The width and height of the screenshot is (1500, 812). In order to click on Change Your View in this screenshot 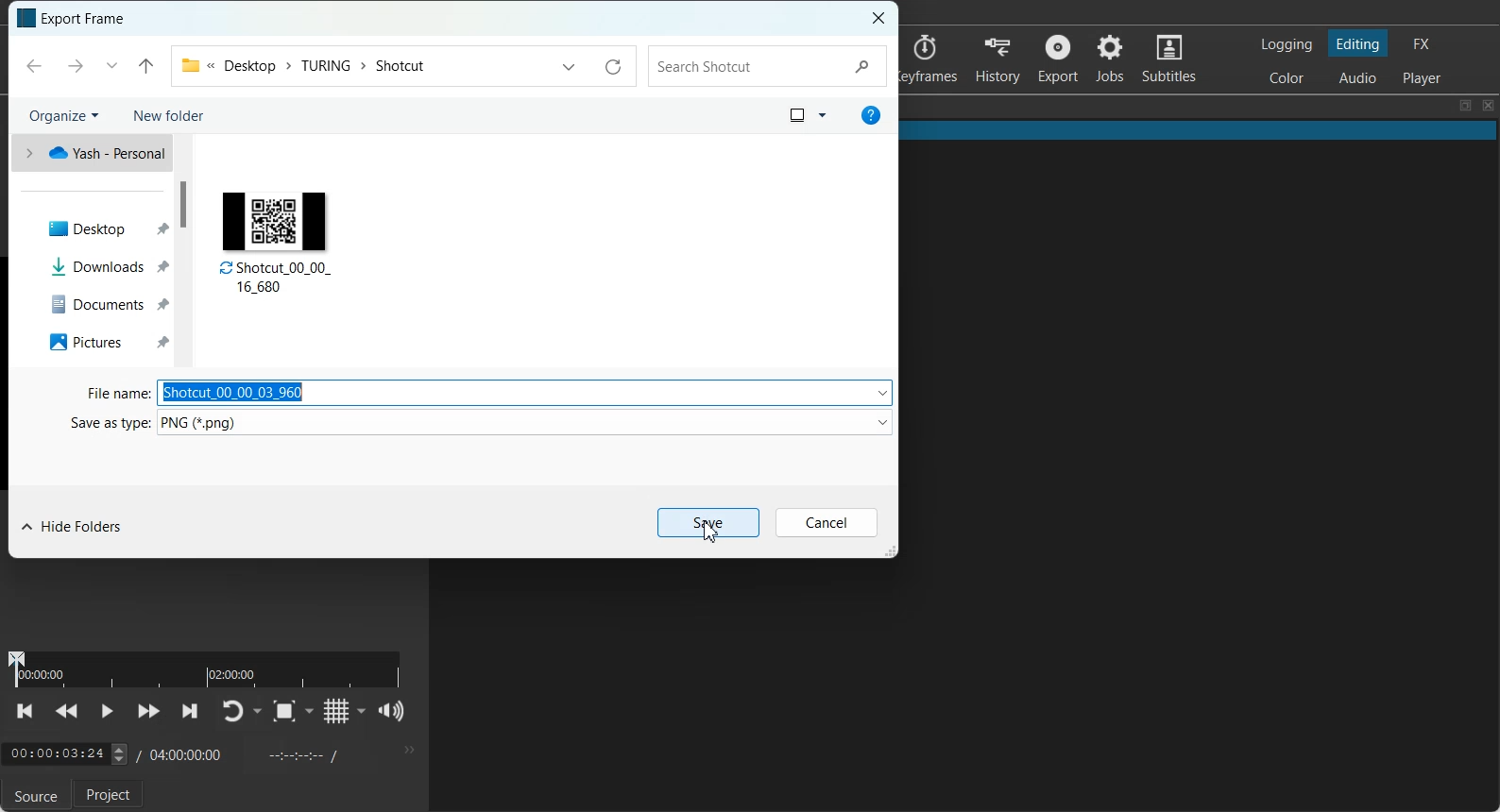, I will do `click(794, 114)`.